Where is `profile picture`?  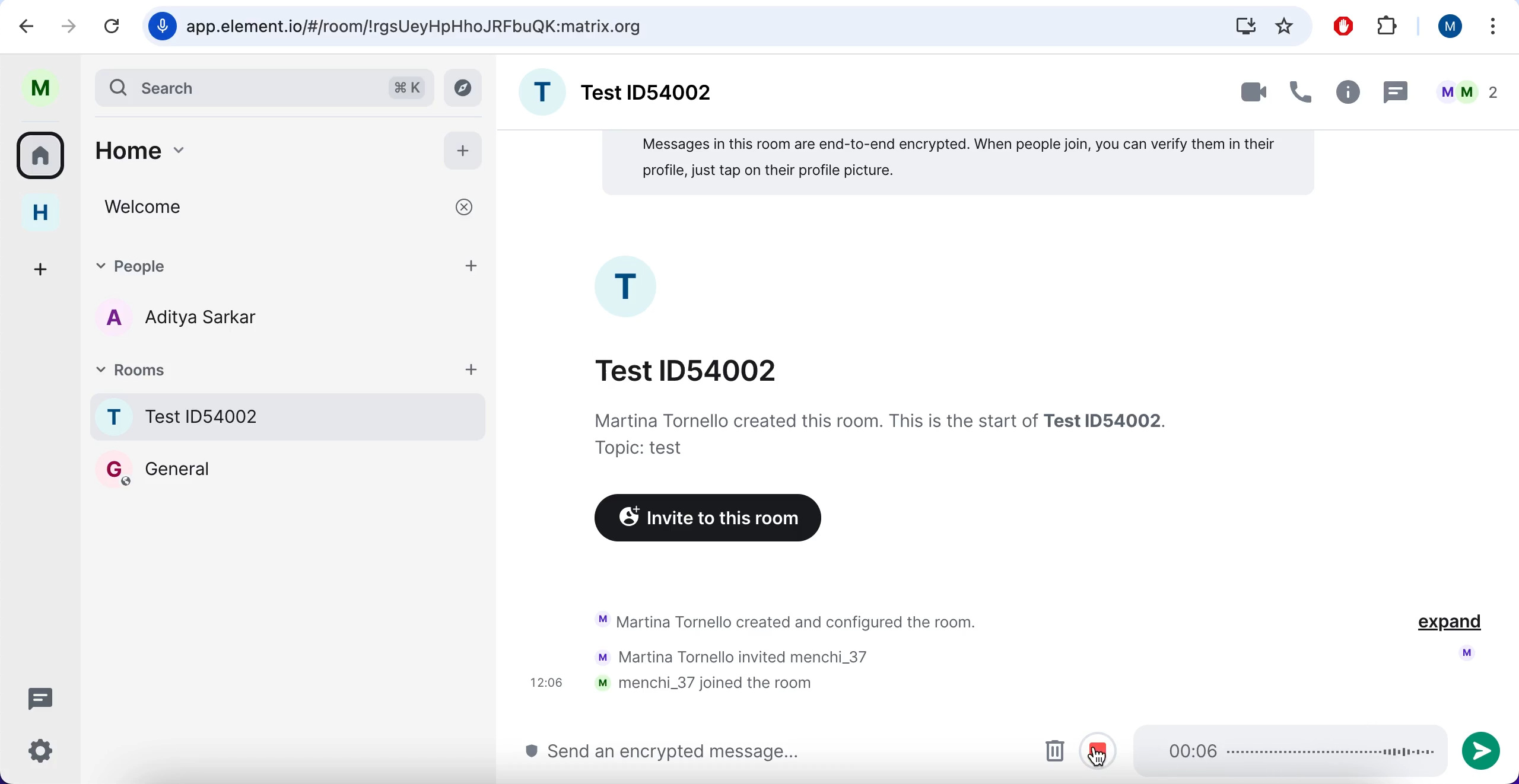 profile picture is located at coordinates (629, 286).